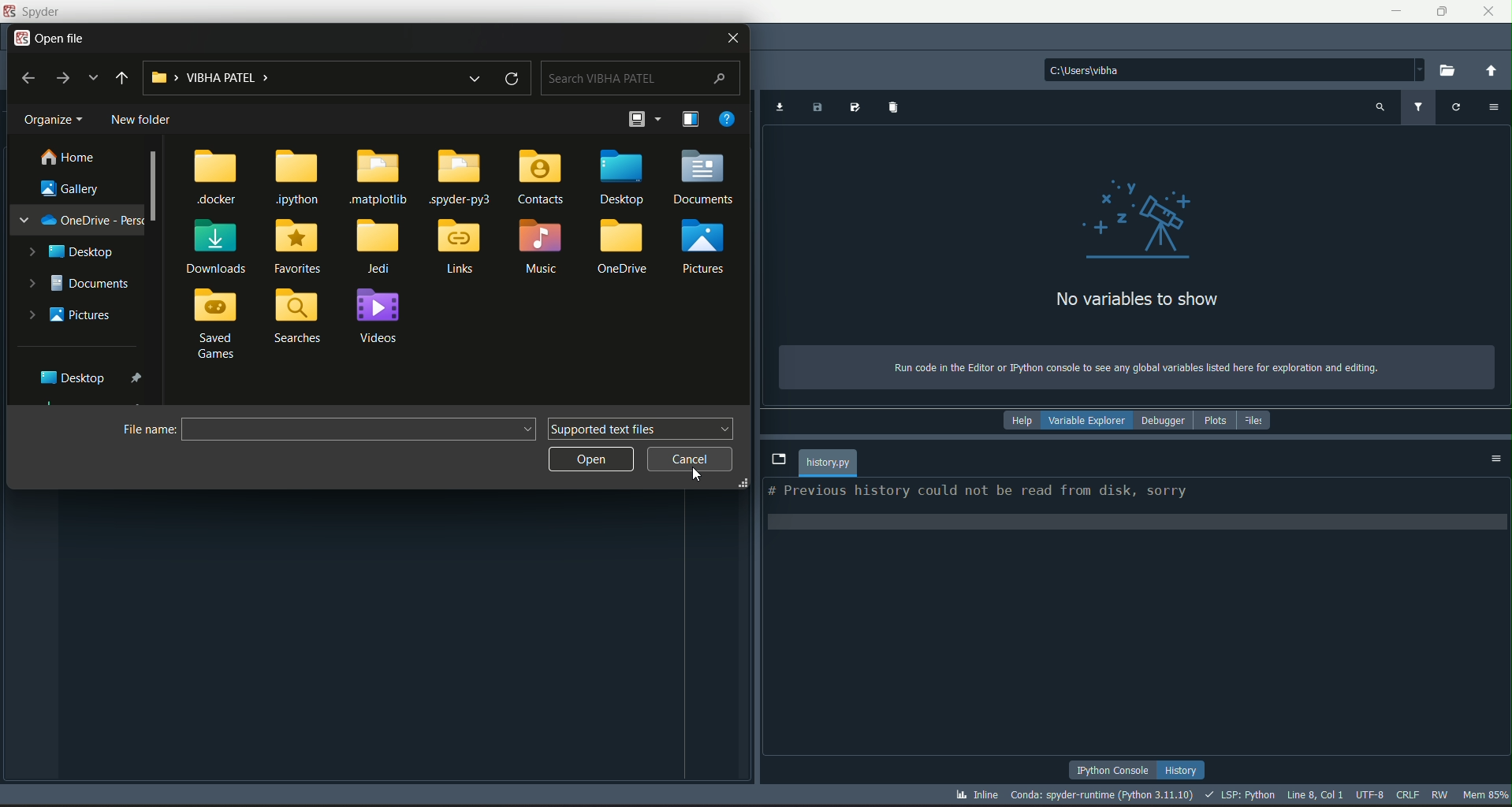 This screenshot has width=1512, height=807. Describe the element at coordinates (541, 177) in the screenshot. I see `contacts` at that location.